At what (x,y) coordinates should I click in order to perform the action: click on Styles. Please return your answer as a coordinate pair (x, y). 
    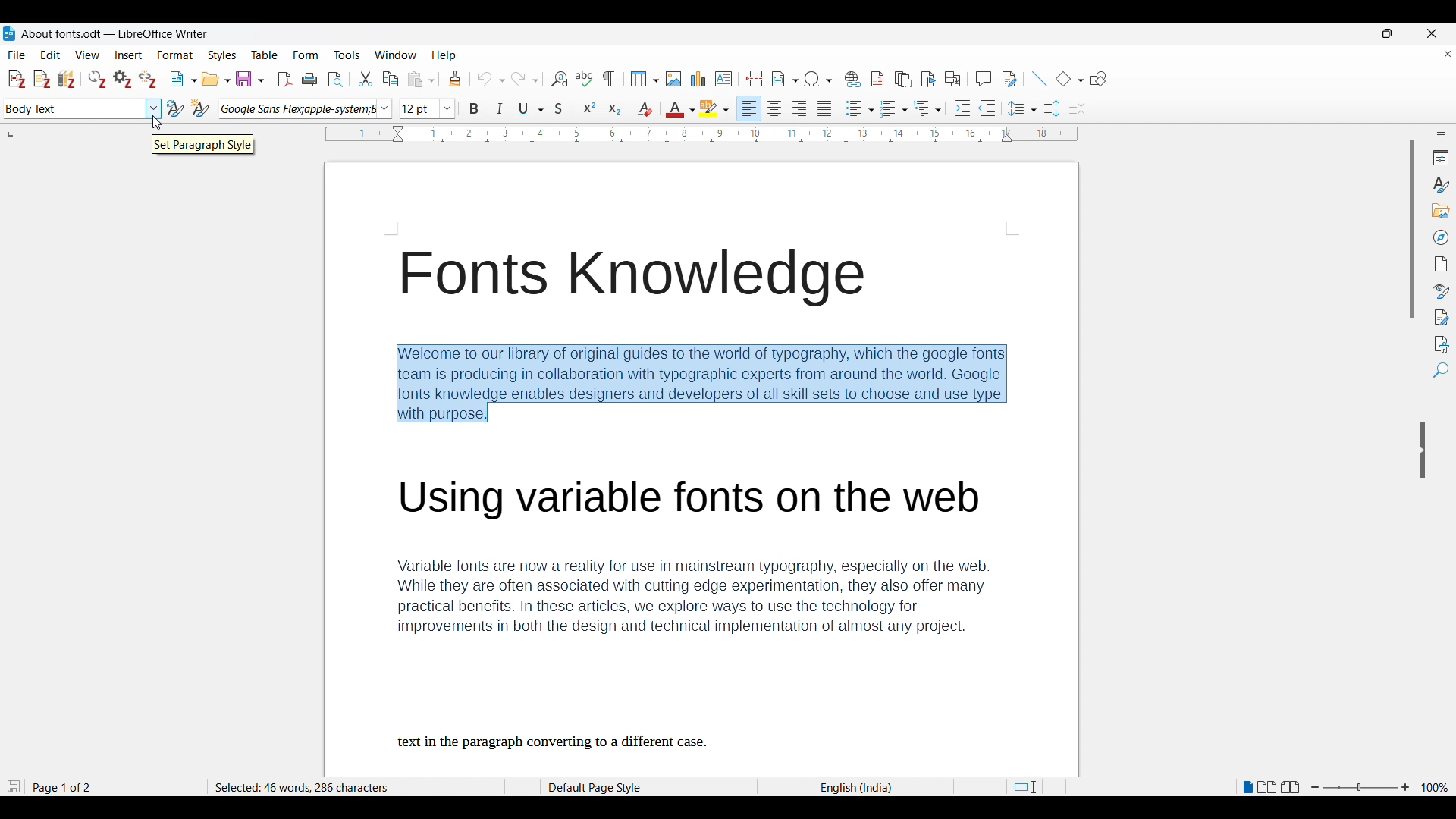
    Looking at the image, I should click on (1441, 184).